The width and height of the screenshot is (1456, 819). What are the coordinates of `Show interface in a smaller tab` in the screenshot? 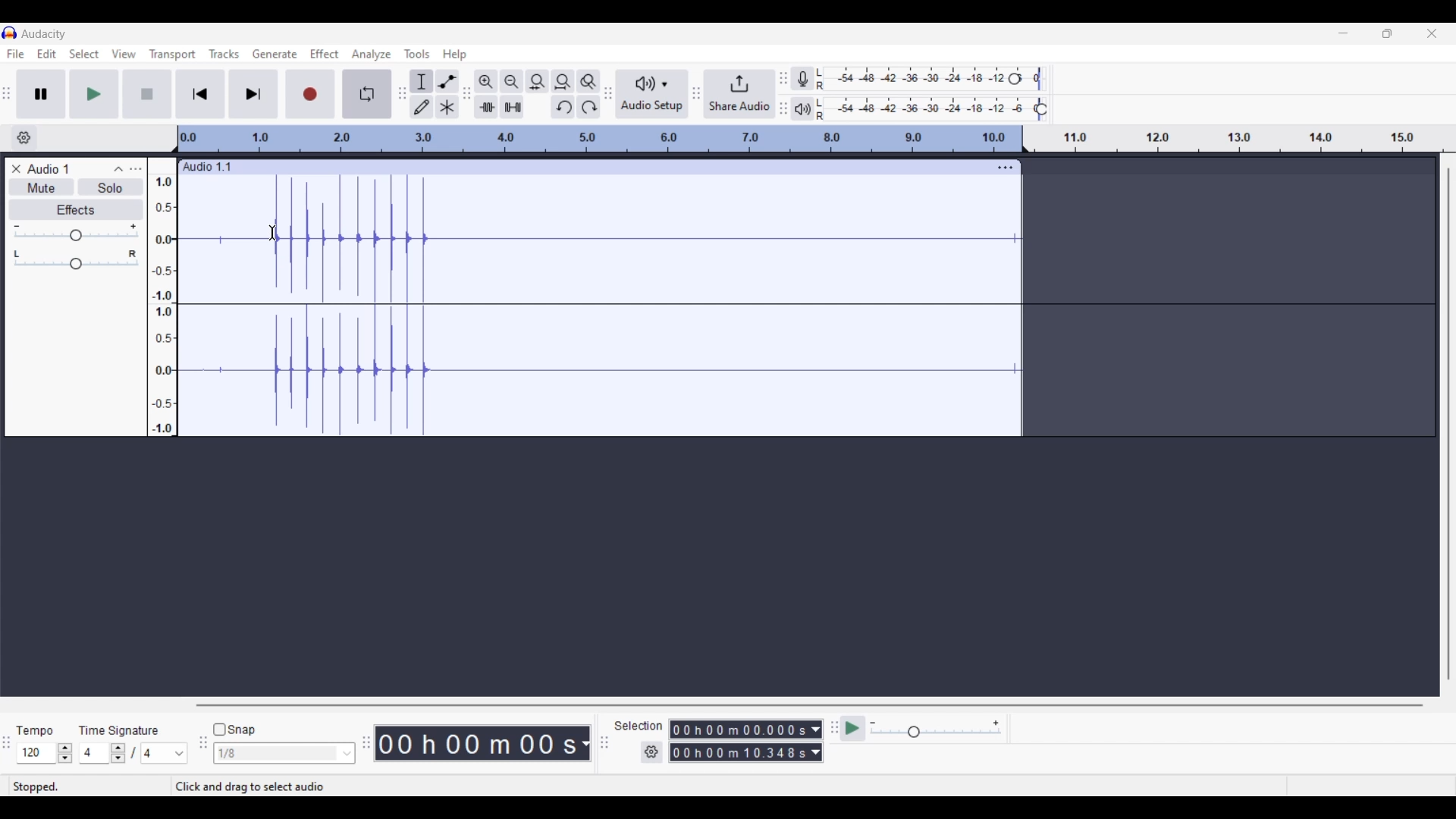 It's located at (1387, 33).